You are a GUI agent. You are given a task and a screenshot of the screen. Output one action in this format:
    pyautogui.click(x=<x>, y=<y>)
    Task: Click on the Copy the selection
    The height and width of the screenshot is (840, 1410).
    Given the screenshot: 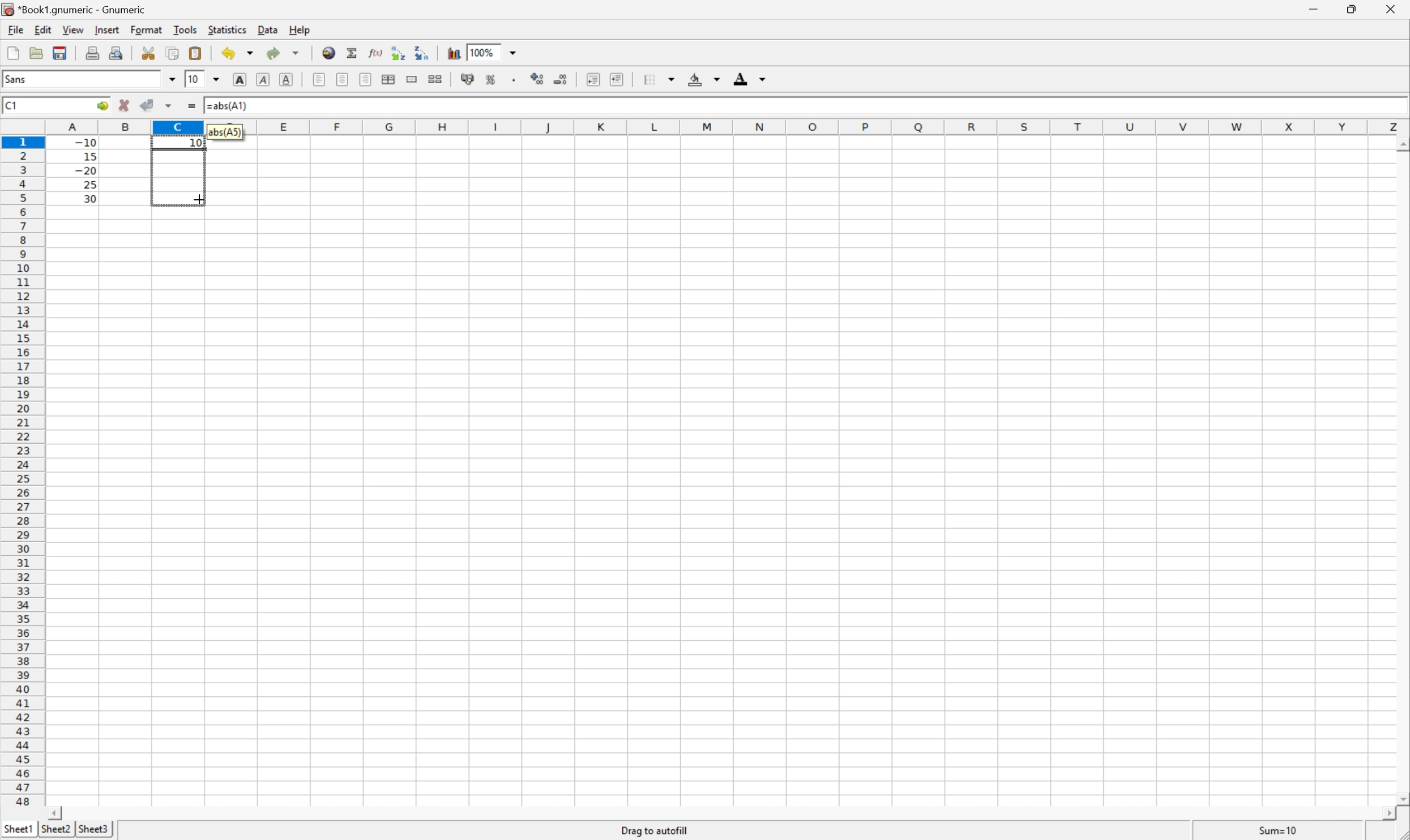 What is the action you would take?
    pyautogui.click(x=152, y=49)
    